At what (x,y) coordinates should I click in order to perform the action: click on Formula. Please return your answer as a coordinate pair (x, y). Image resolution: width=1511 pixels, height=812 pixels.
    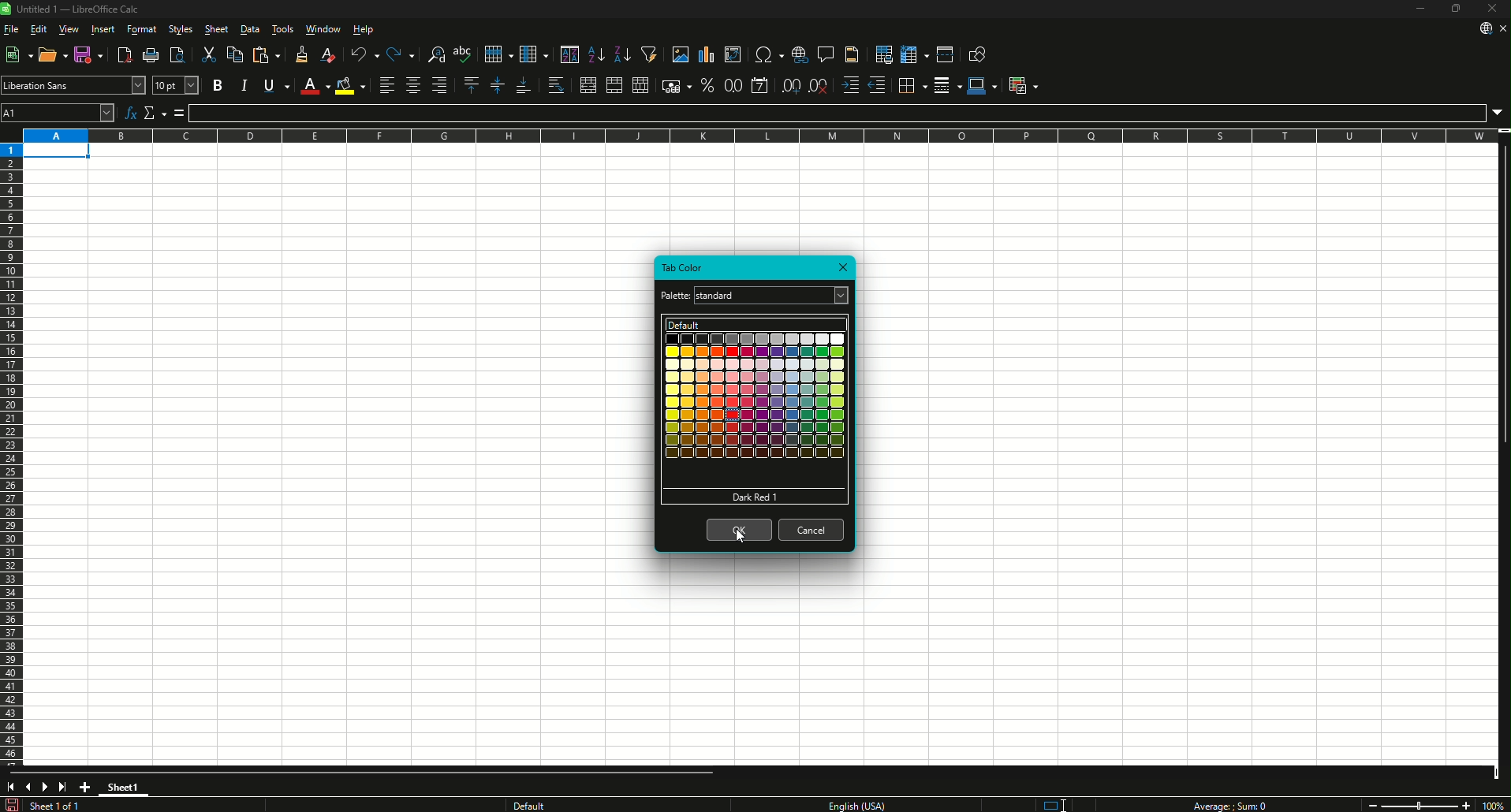
    Looking at the image, I should click on (180, 113).